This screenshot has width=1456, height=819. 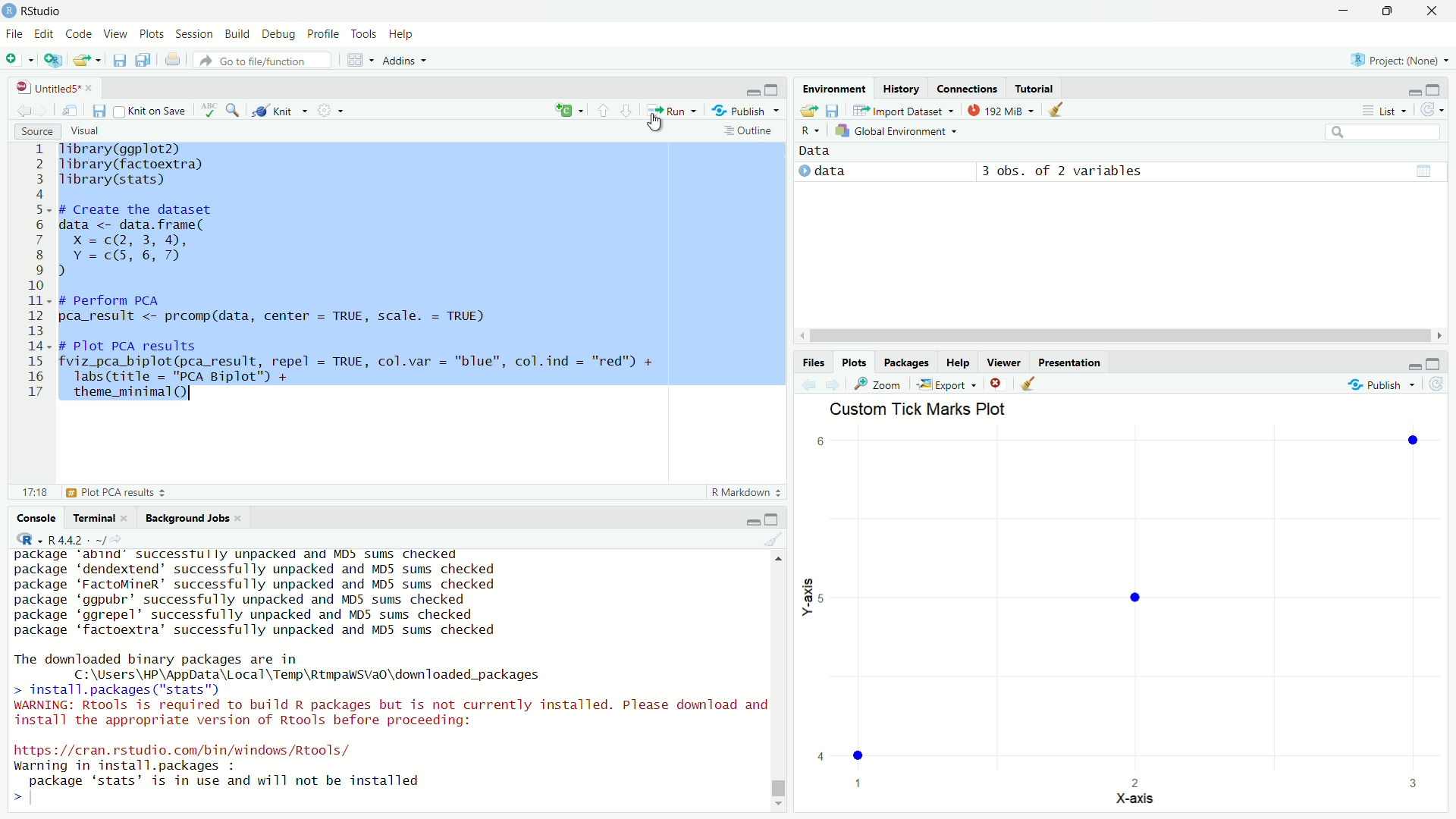 I want to click on run, so click(x=670, y=110).